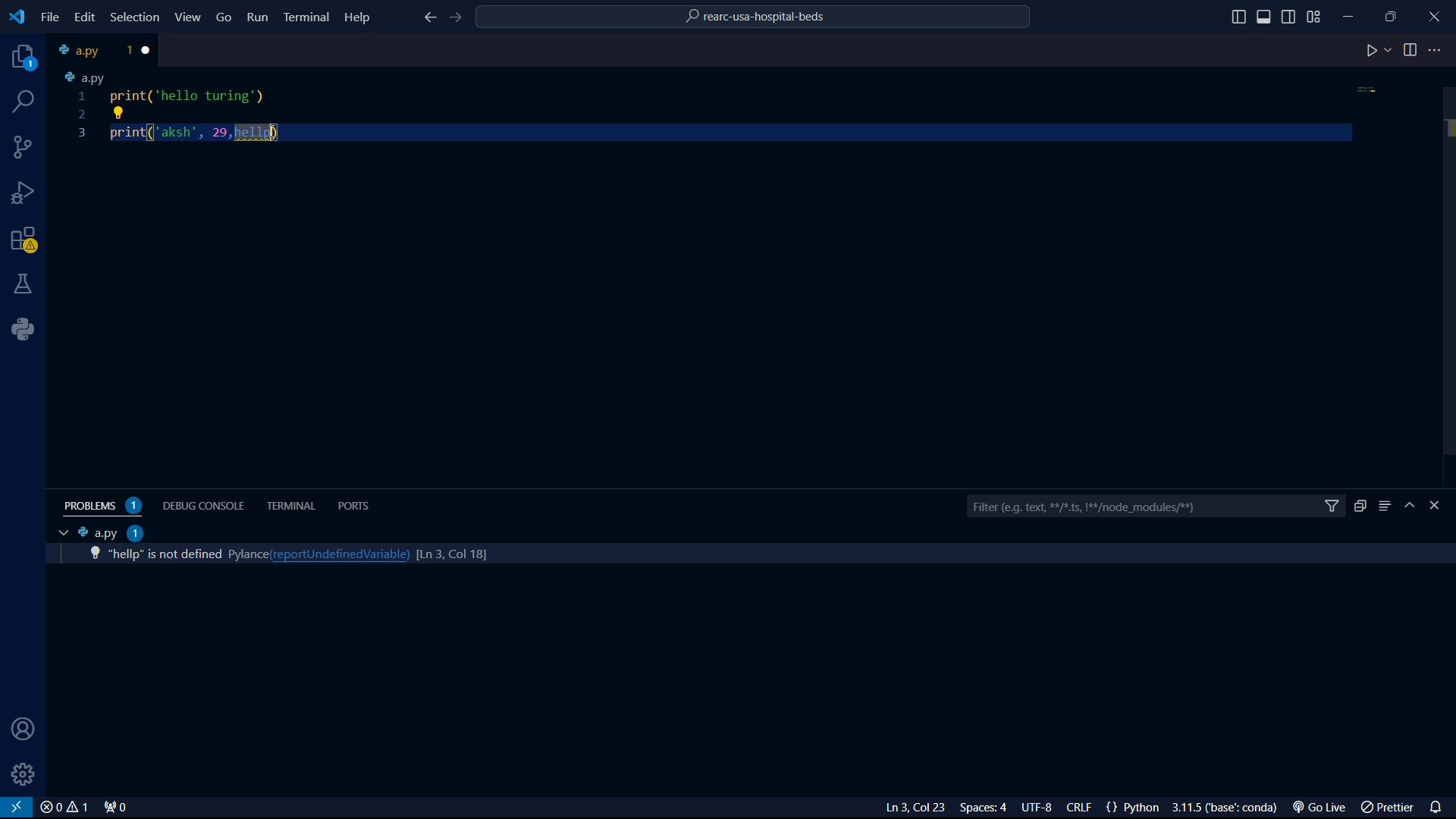  I want to click on {} Python, so click(1135, 808).